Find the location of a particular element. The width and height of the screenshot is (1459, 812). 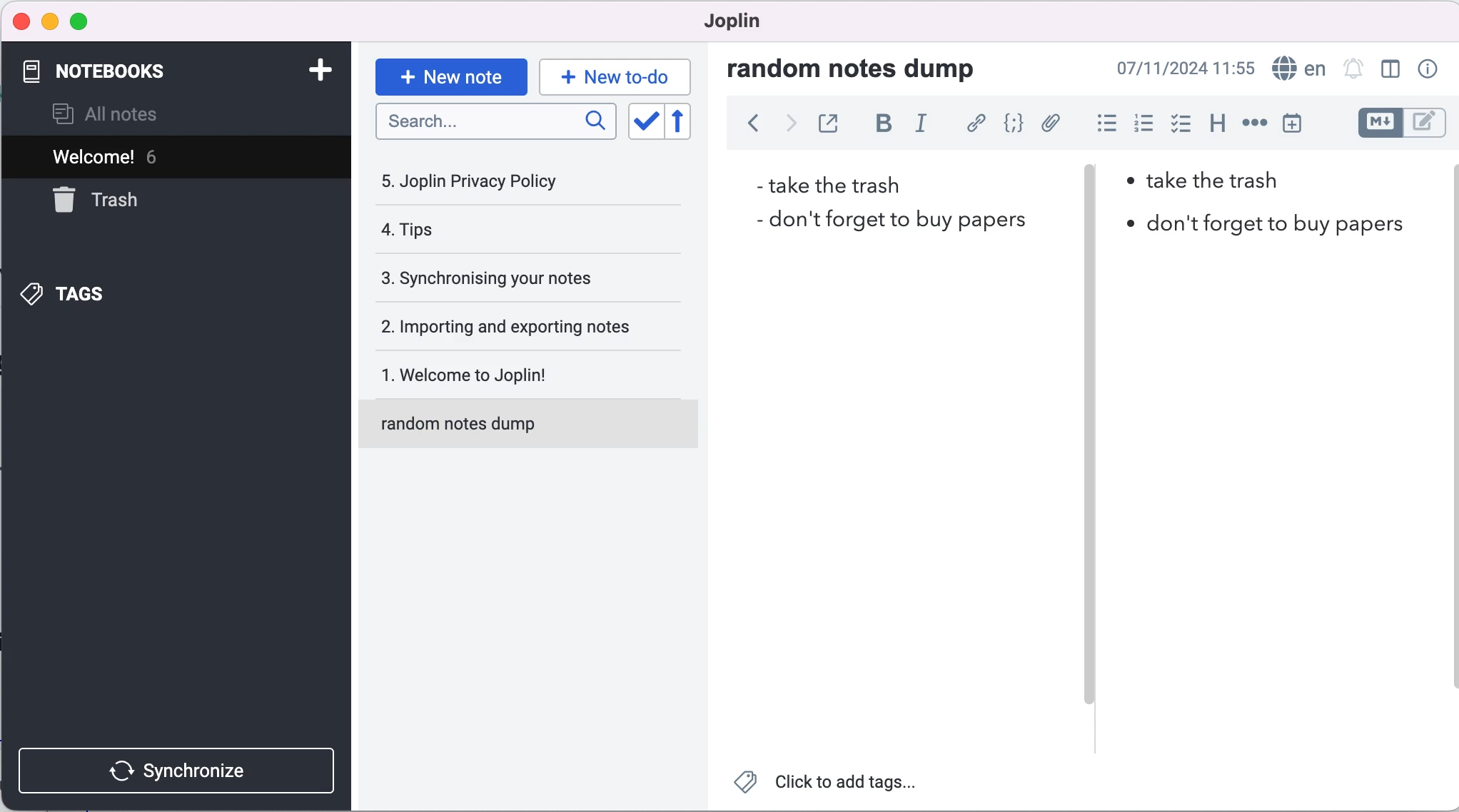

don't forget to buy papers is located at coordinates (882, 219).